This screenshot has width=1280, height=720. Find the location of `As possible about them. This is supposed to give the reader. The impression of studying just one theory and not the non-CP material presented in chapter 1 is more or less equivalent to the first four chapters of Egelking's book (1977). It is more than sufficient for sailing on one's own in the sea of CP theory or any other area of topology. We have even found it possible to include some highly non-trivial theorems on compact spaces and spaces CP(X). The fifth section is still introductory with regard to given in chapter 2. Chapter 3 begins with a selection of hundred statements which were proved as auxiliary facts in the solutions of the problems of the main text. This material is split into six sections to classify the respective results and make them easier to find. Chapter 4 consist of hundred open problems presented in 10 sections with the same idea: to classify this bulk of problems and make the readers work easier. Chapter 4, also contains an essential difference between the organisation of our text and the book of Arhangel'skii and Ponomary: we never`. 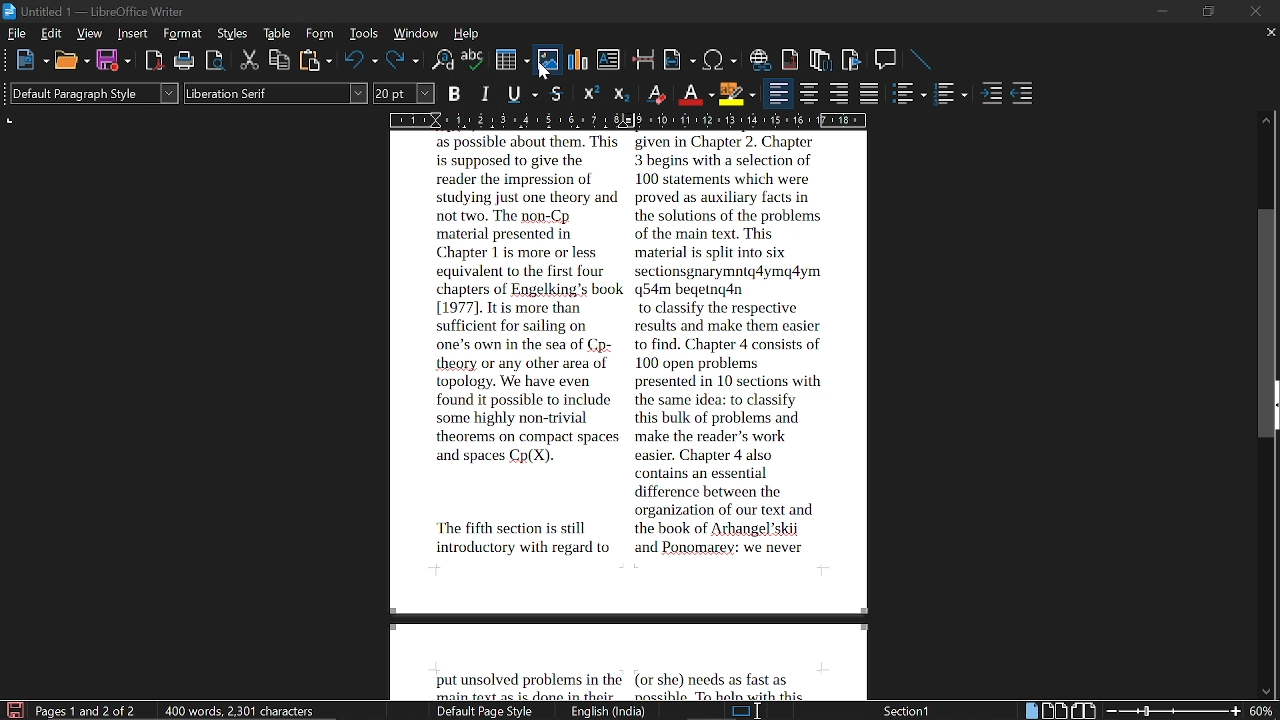

As possible about them. This is supposed to give the reader. The impression of studying just one theory and not the non-CP material presented in chapter 1 is more or less equivalent to the first four chapters of Egelking's book (1977). It is more than sufficient for sailing on one's own in the sea of CP theory or any other area of topology. We have even found it possible to include some highly non-trivial theorems on compact spaces and spaces CP(X). The fifth section is still introductory with regard to given in chapter 2. Chapter 3 begins with a selection of hundred statements which were proved as auxiliary facts in the solutions of the problems of the main text. This material is split into six sections to classify the respective results and make them easier to find. Chapter 4 consist of hundred open problems presented in 10 sections with the same idea: to classify this bulk of problems and make the readers work easier. Chapter 4, also contains an essential difference between the organisation of our text and the book of Arhangel'skii and Ponomary: we never is located at coordinates (584, 412).